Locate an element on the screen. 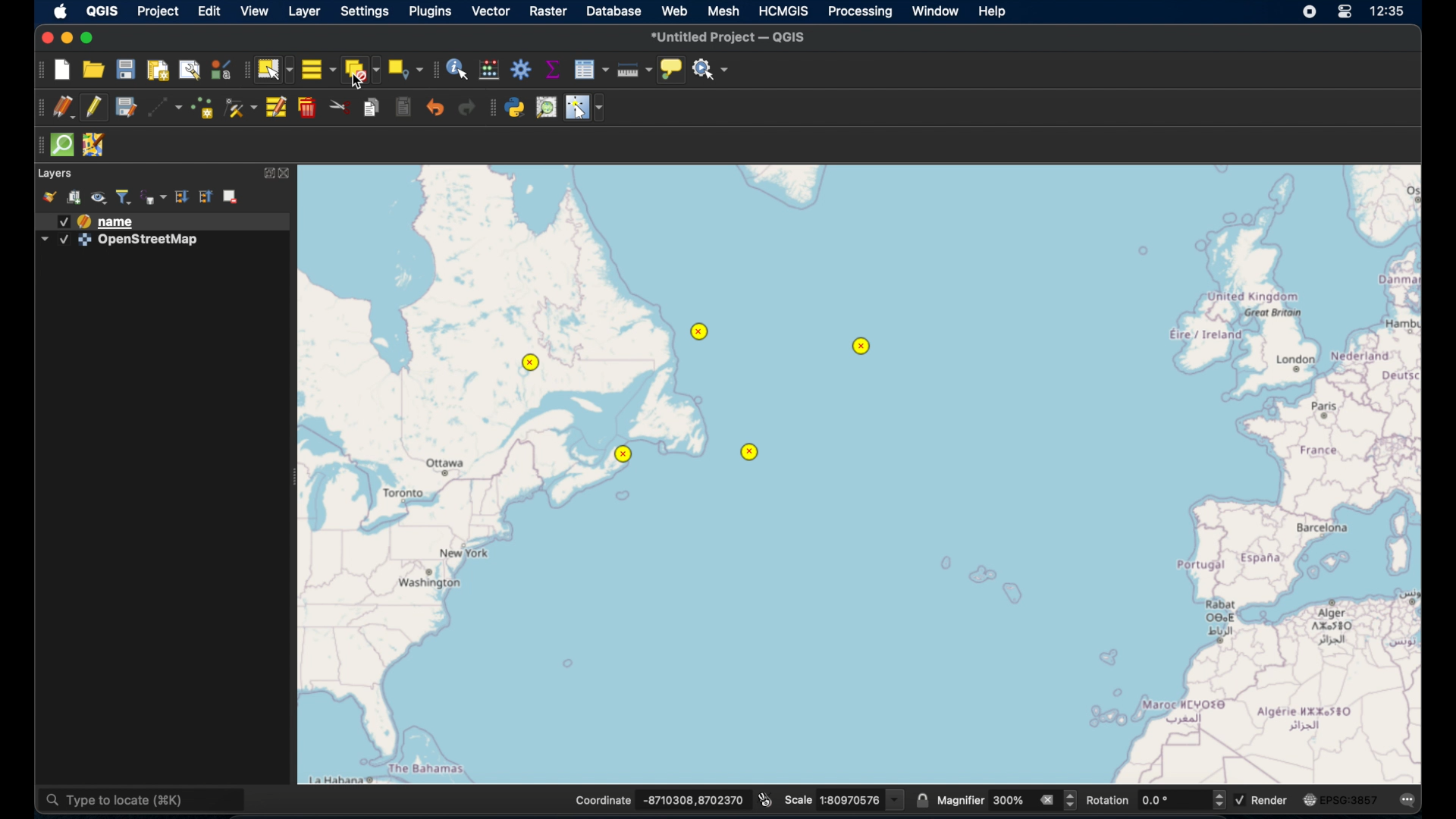  Coordinate is located at coordinates (604, 800).